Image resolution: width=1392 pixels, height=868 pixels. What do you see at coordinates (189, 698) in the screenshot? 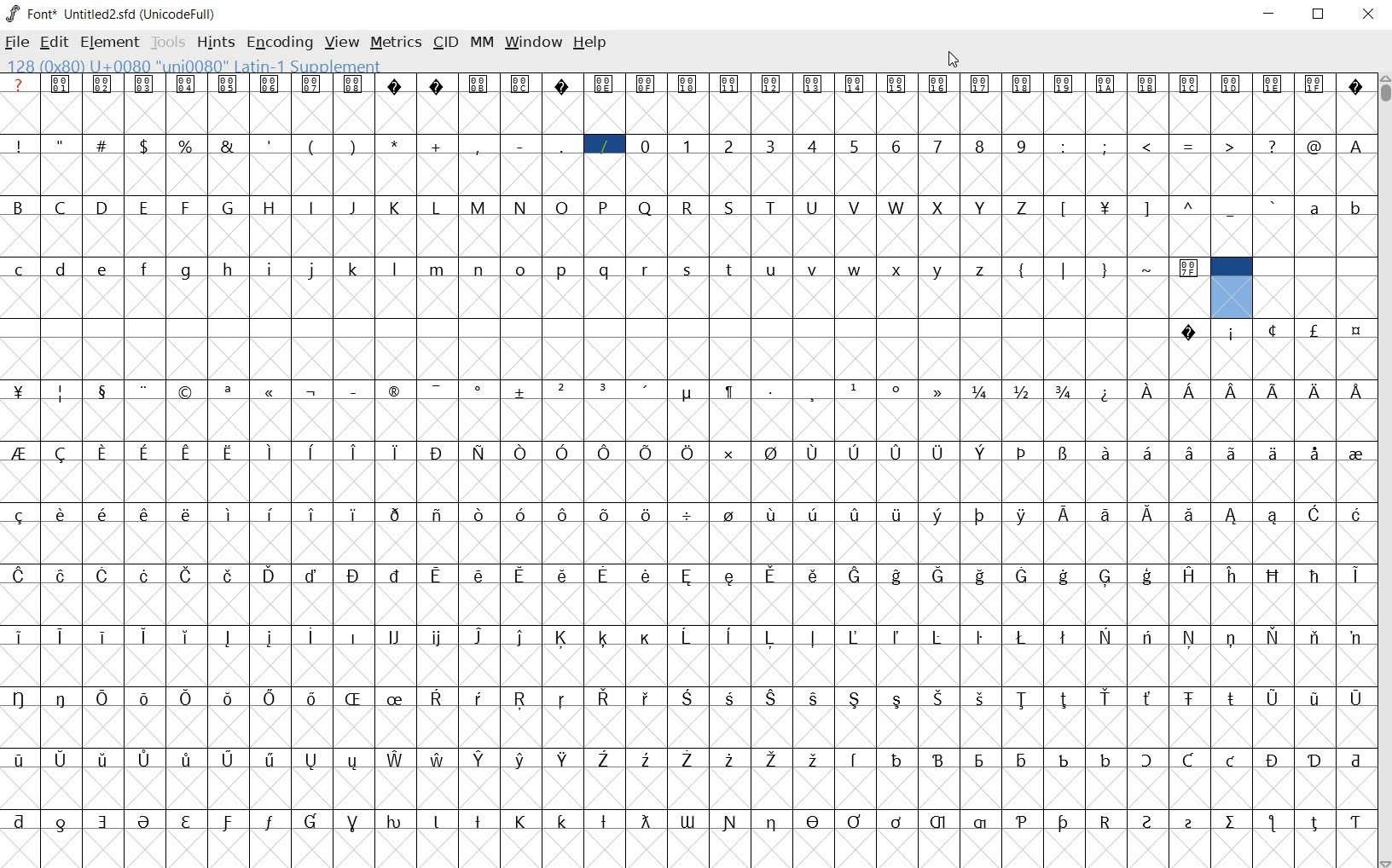
I see `Symbol` at bounding box center [189, 698].